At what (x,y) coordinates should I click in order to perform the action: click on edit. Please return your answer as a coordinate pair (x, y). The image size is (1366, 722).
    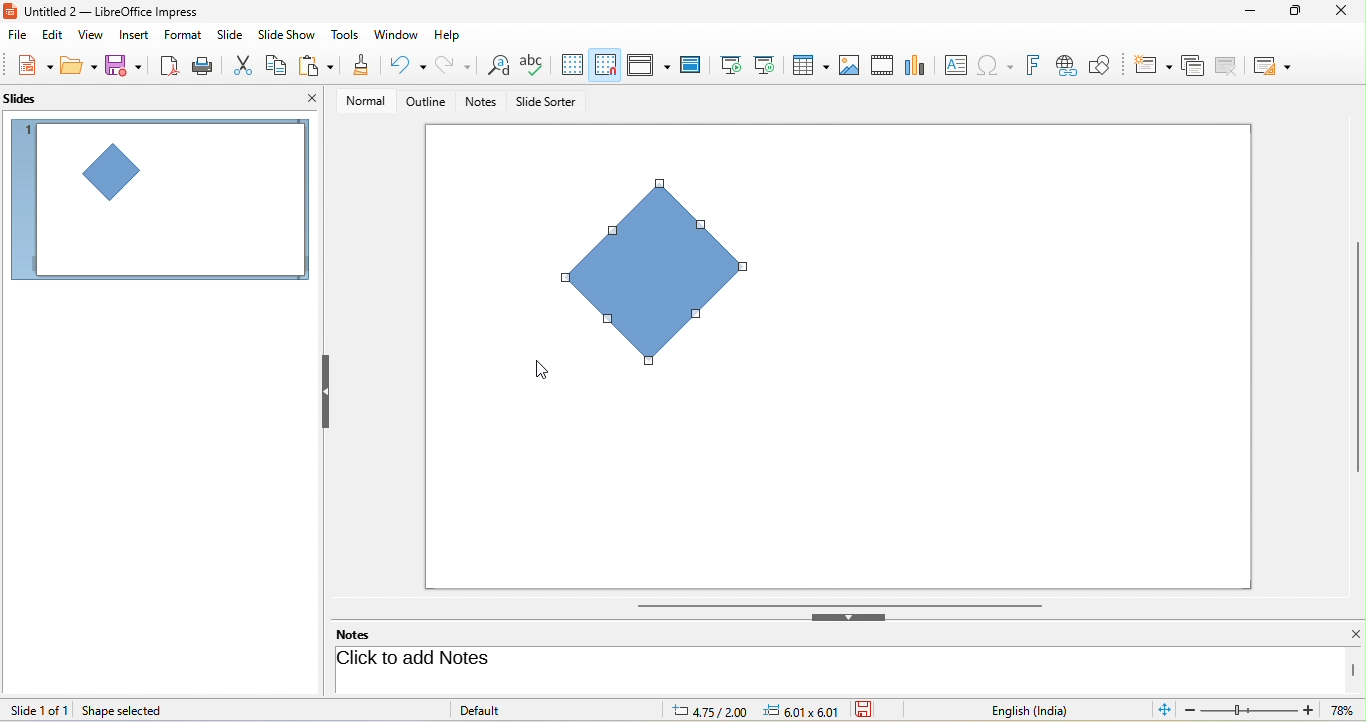
    Looking at the image, I should click on (51, 36).